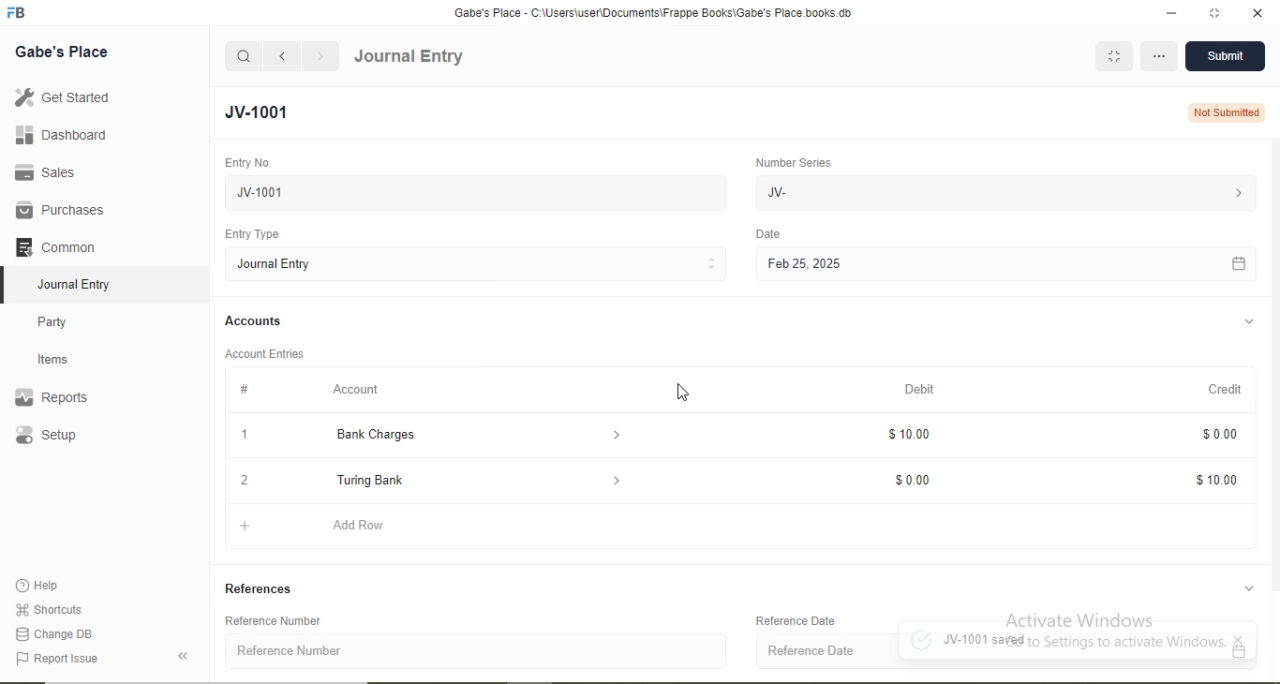  I want to click on MINIMIZE WINDOW, so click(1117, 56).